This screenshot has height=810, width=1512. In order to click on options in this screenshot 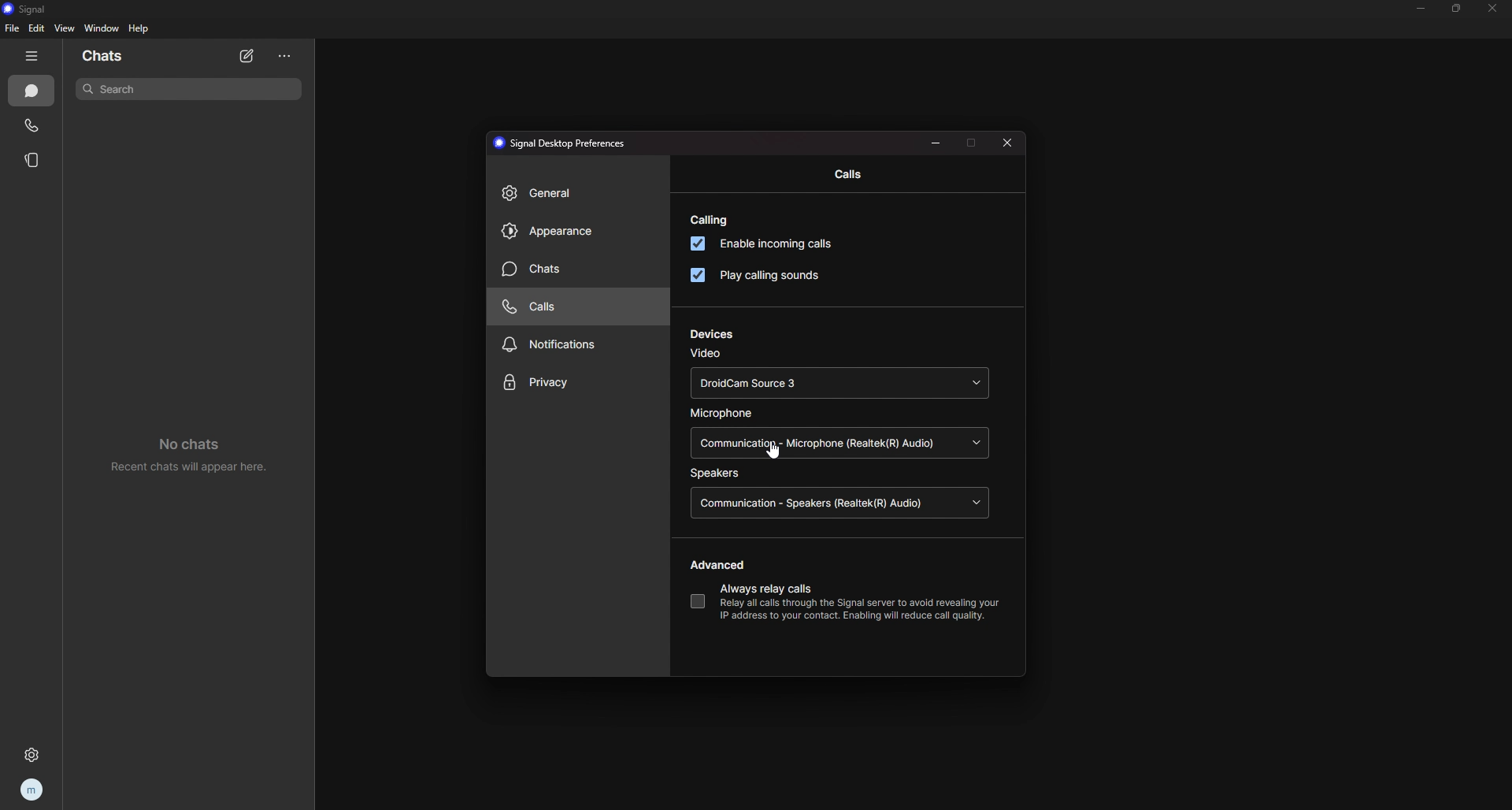, I will do `click(284, 57)`.